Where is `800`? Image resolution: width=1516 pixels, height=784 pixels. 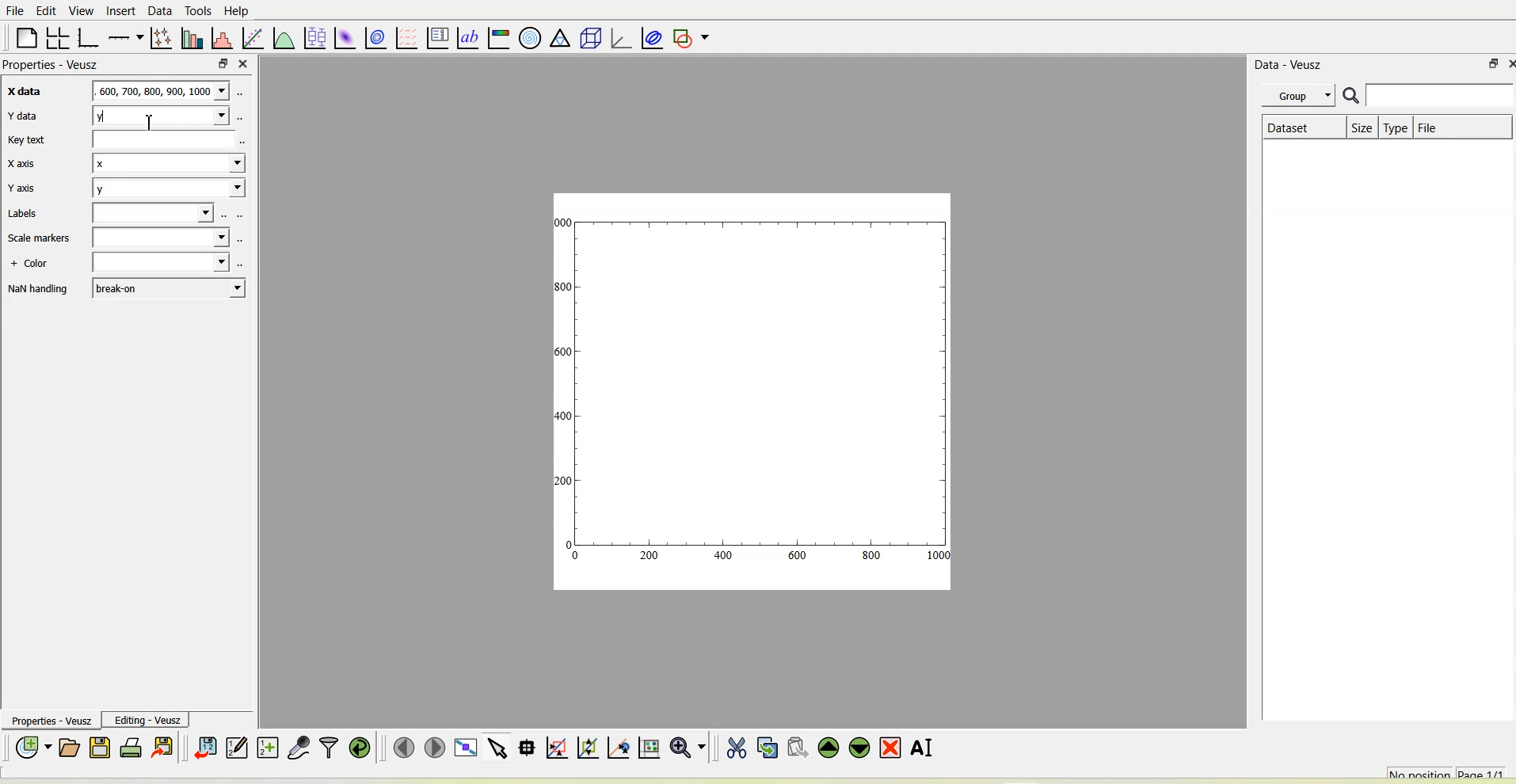
800 is located at coordinates (870, 556).